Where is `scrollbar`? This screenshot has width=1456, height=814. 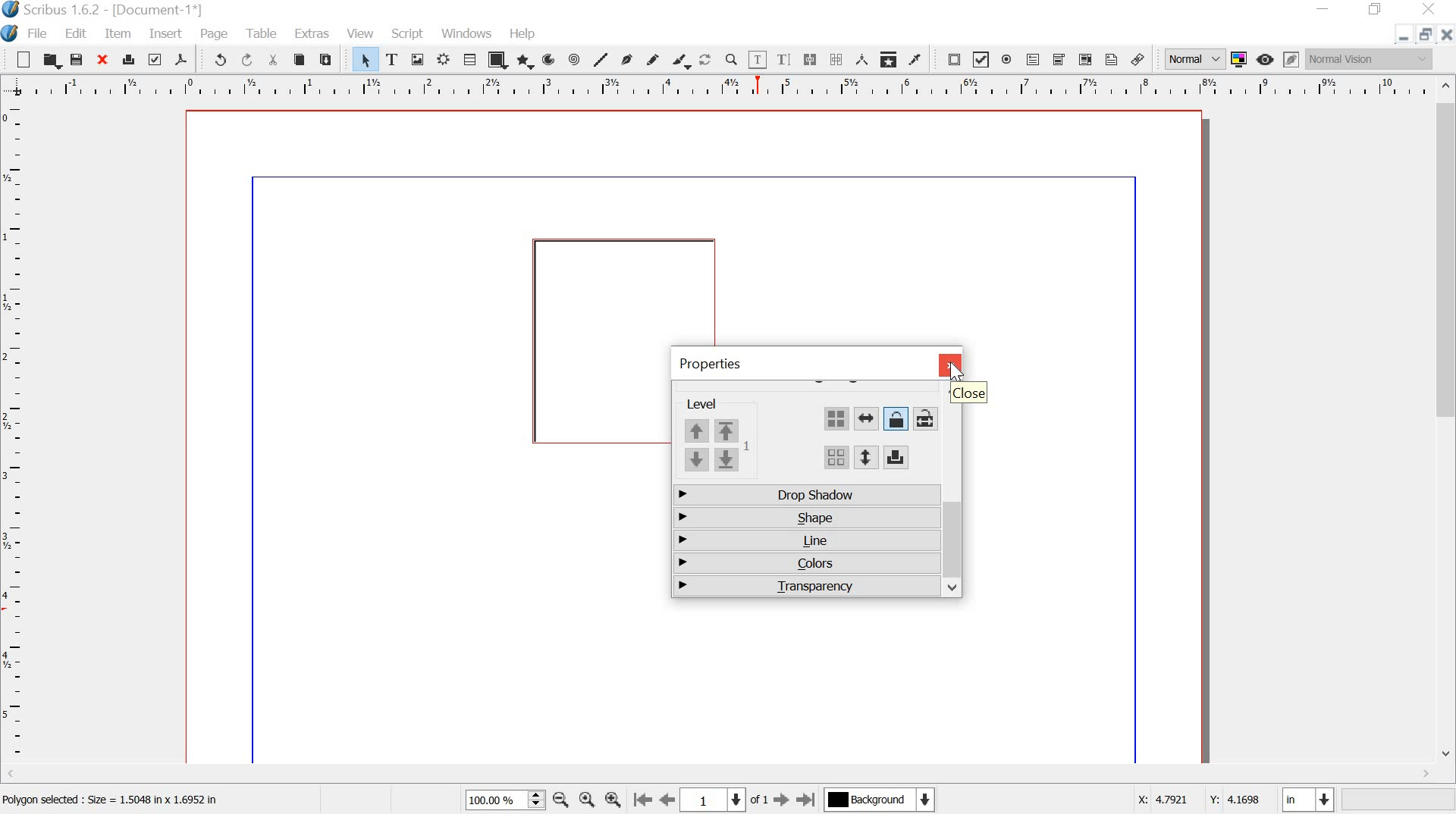
scrollbar is located at coordinates (1447, 423).